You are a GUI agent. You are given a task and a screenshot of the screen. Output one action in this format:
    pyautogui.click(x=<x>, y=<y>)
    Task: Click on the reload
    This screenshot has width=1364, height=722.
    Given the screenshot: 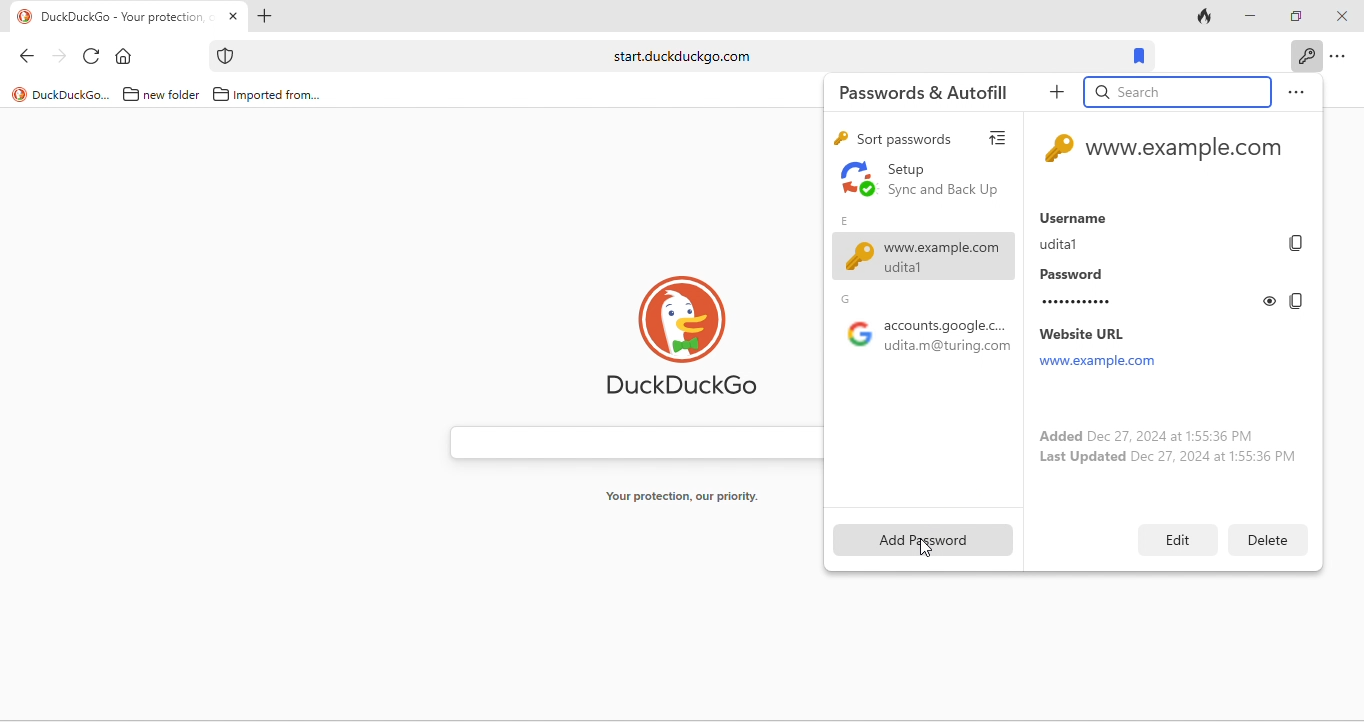 What is the action you would take?
    pyautogui.click(x=93, y=56)
    